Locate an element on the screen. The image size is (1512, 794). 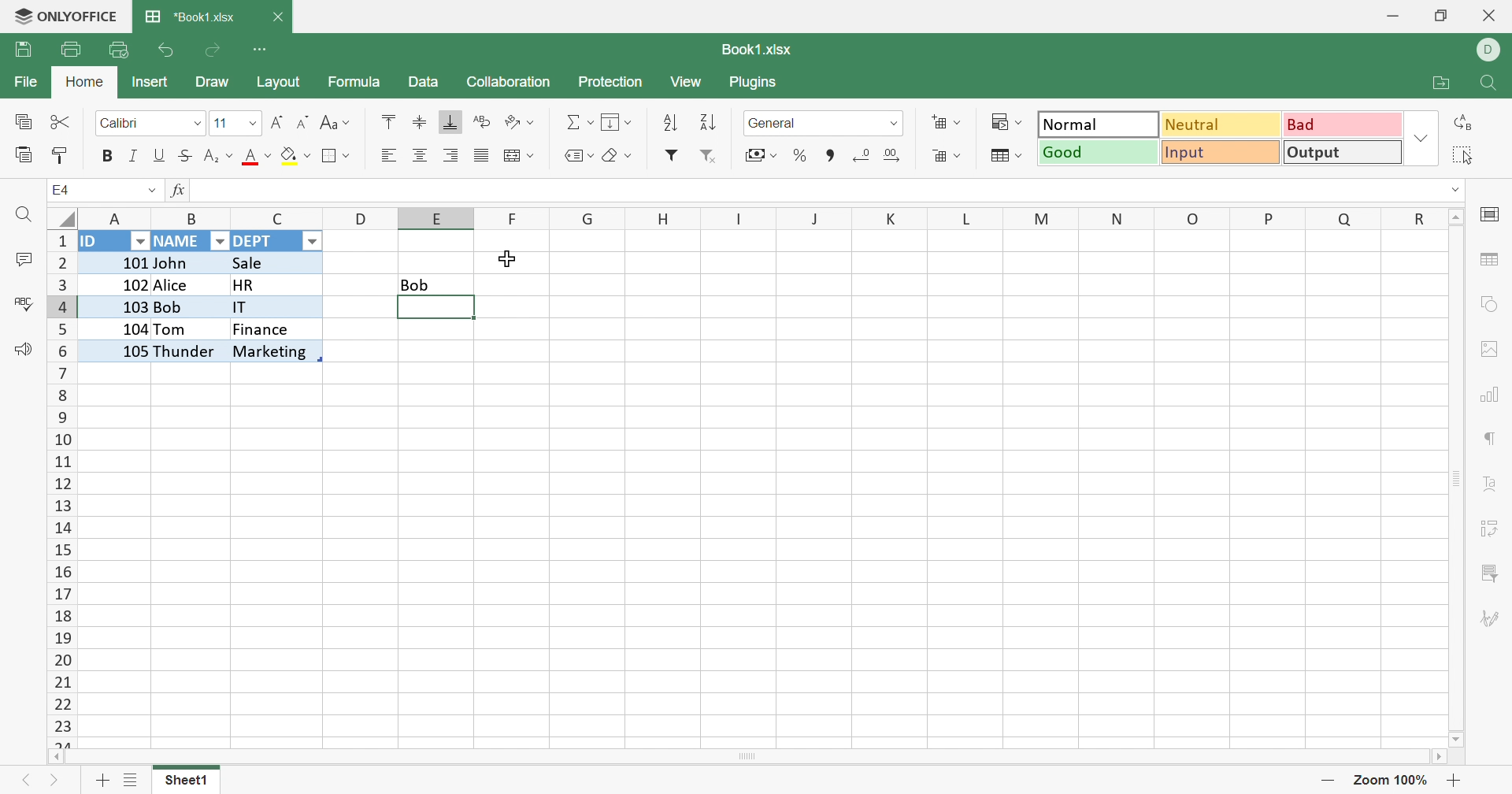
Bold is located at coordinates (107, 158).